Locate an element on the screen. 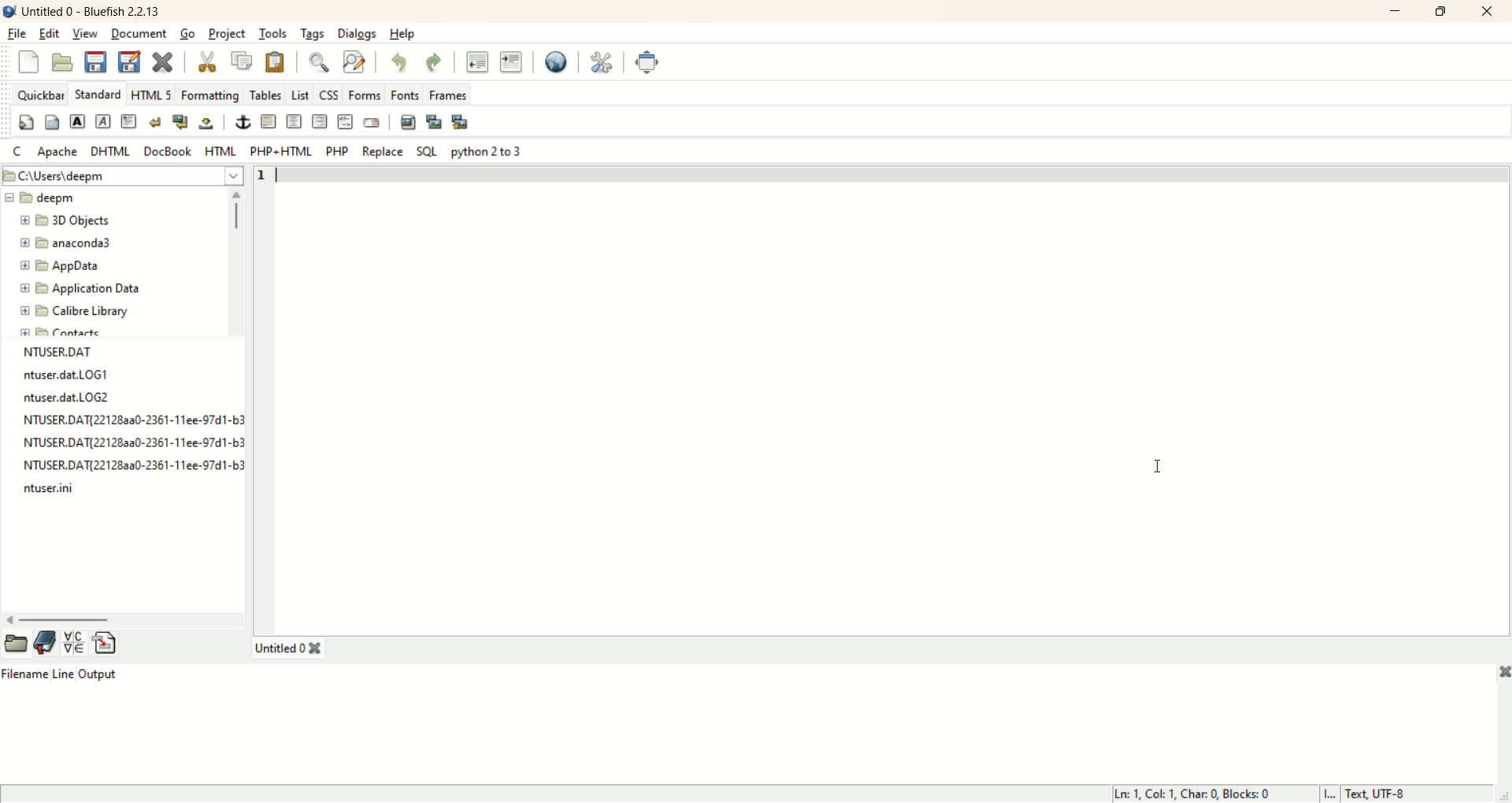  output is located at coordinates (98, 673).